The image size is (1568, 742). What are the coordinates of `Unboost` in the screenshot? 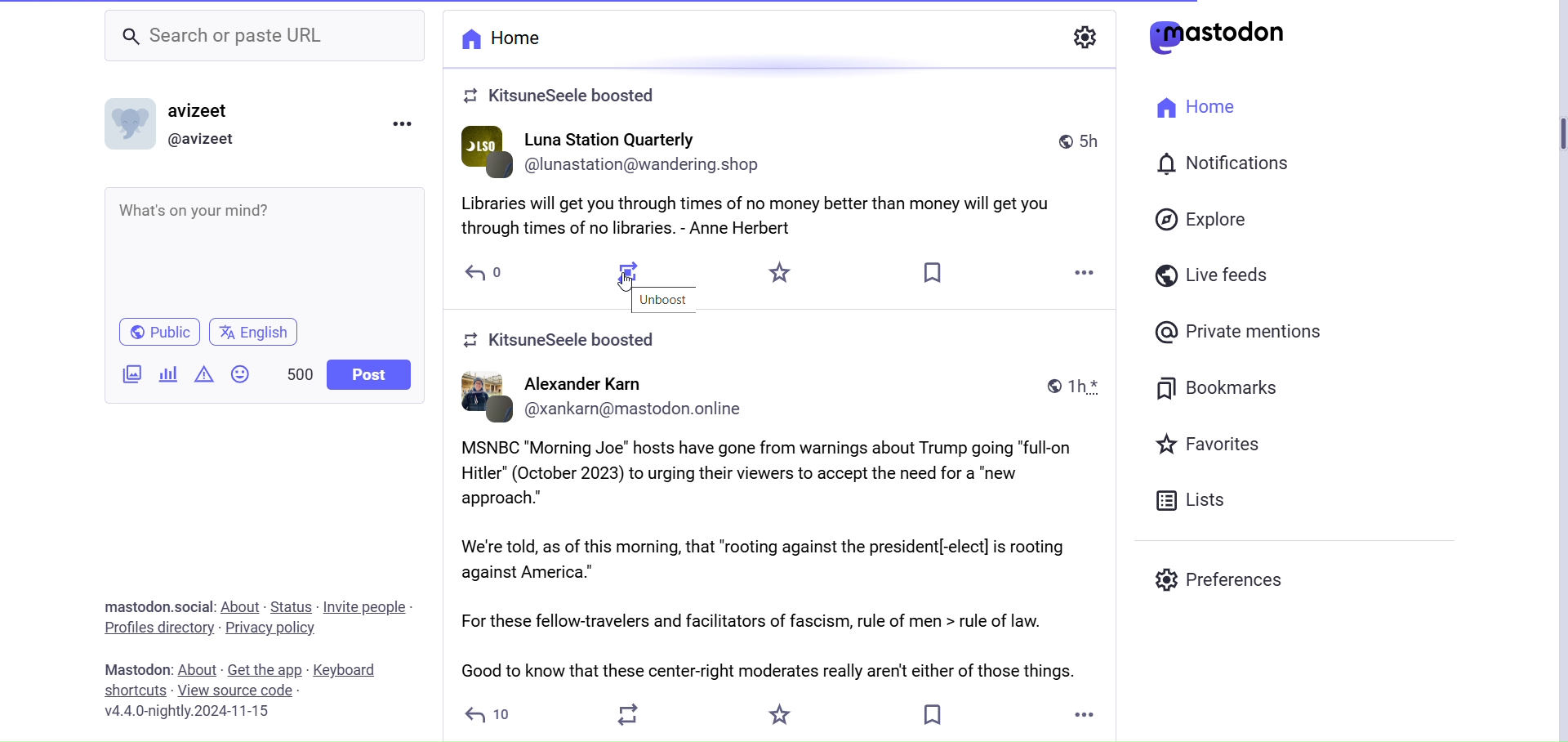 It's located at (666, 299).